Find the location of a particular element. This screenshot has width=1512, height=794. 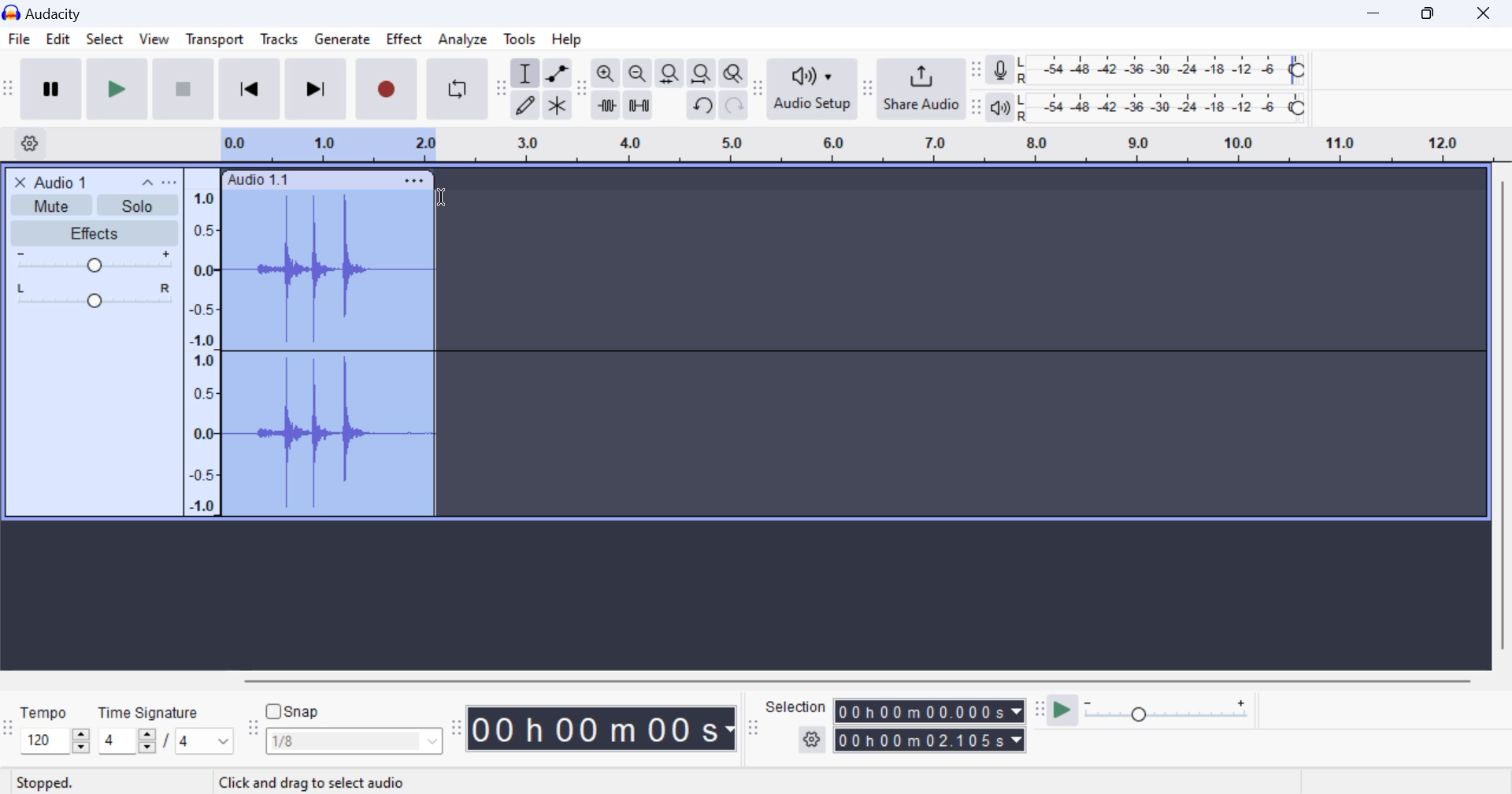

Effect is located at coordinates (405, 42).